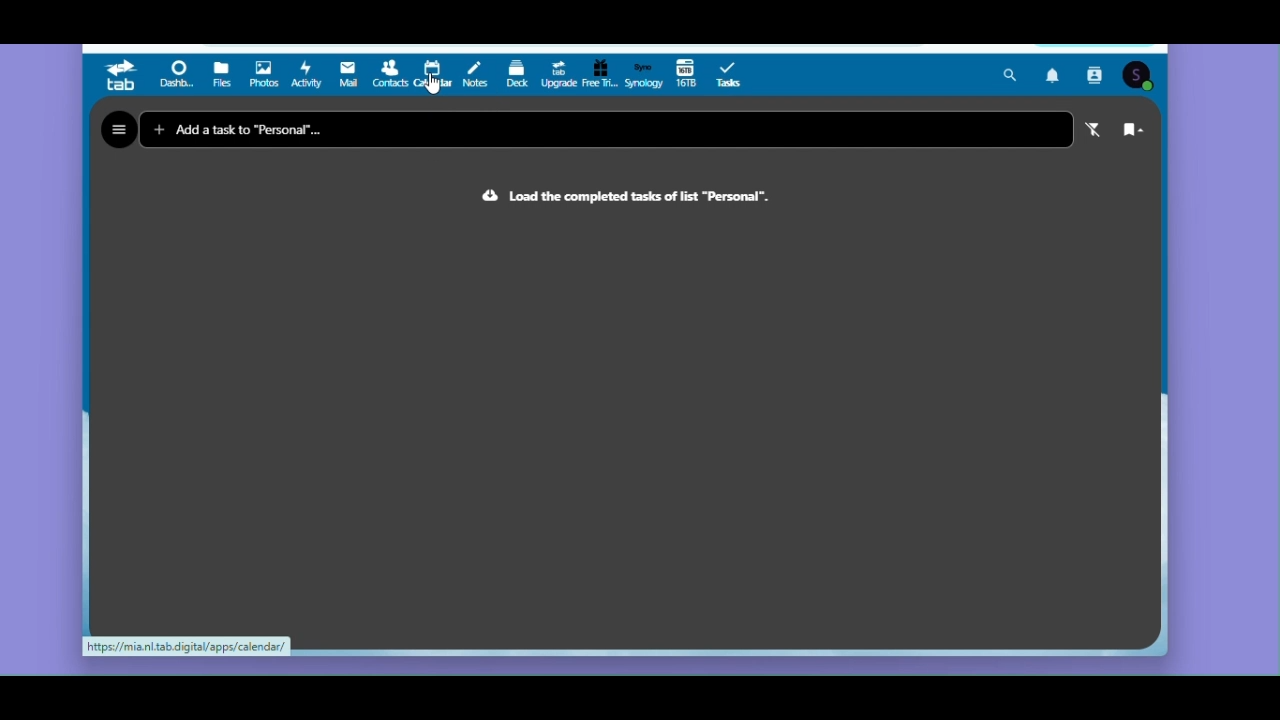 Image resolution: width=1280 pixels, height=720 pixels. Describe the element at coordinates (557, 74) in the screenshot. I see `Upgrade` at that location.